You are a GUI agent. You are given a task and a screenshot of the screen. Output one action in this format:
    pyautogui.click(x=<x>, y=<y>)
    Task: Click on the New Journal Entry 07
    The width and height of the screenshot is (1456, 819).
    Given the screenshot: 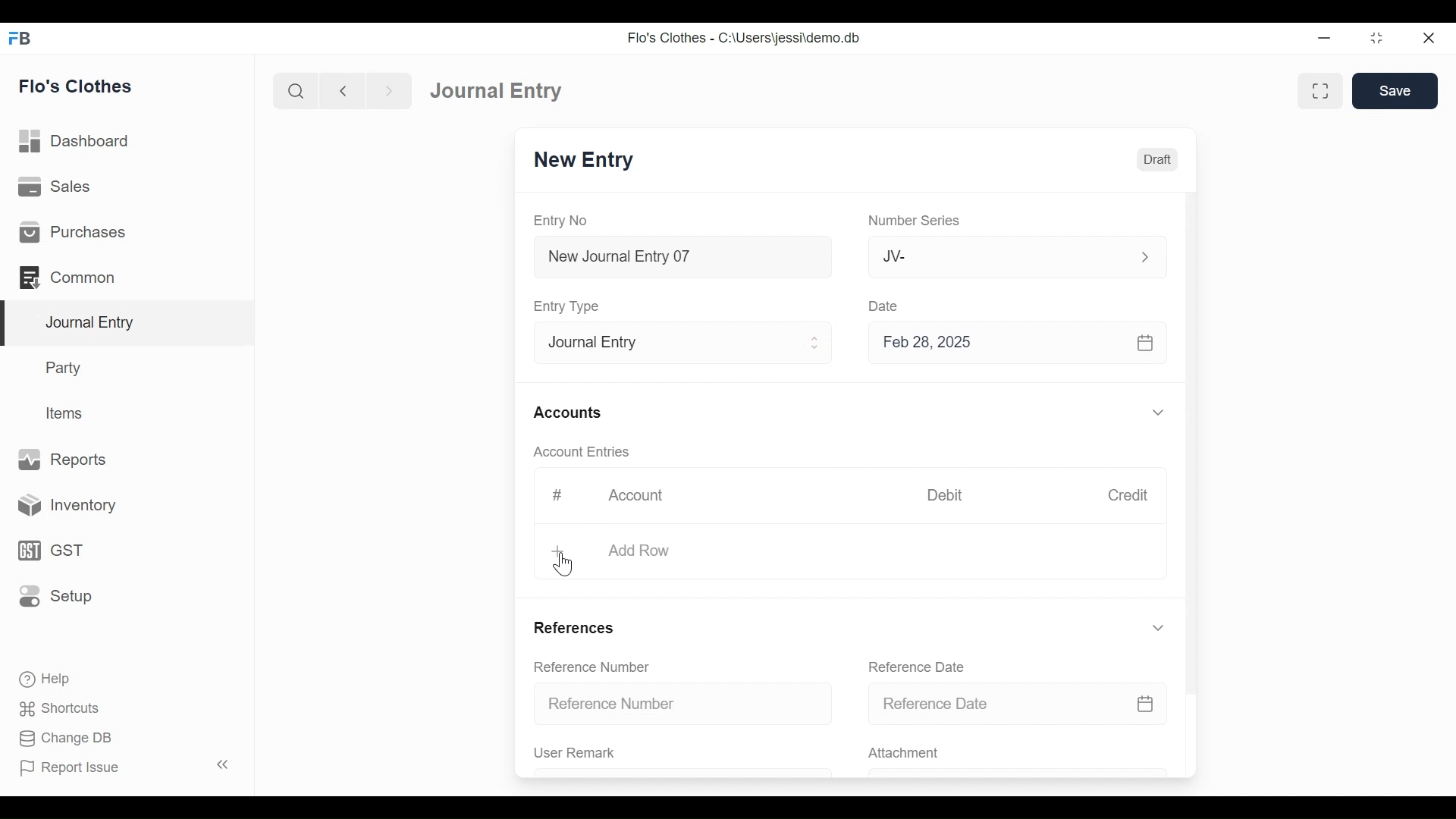 What is the action you would take?
    pyautogui.click(x=684, y=259)
    